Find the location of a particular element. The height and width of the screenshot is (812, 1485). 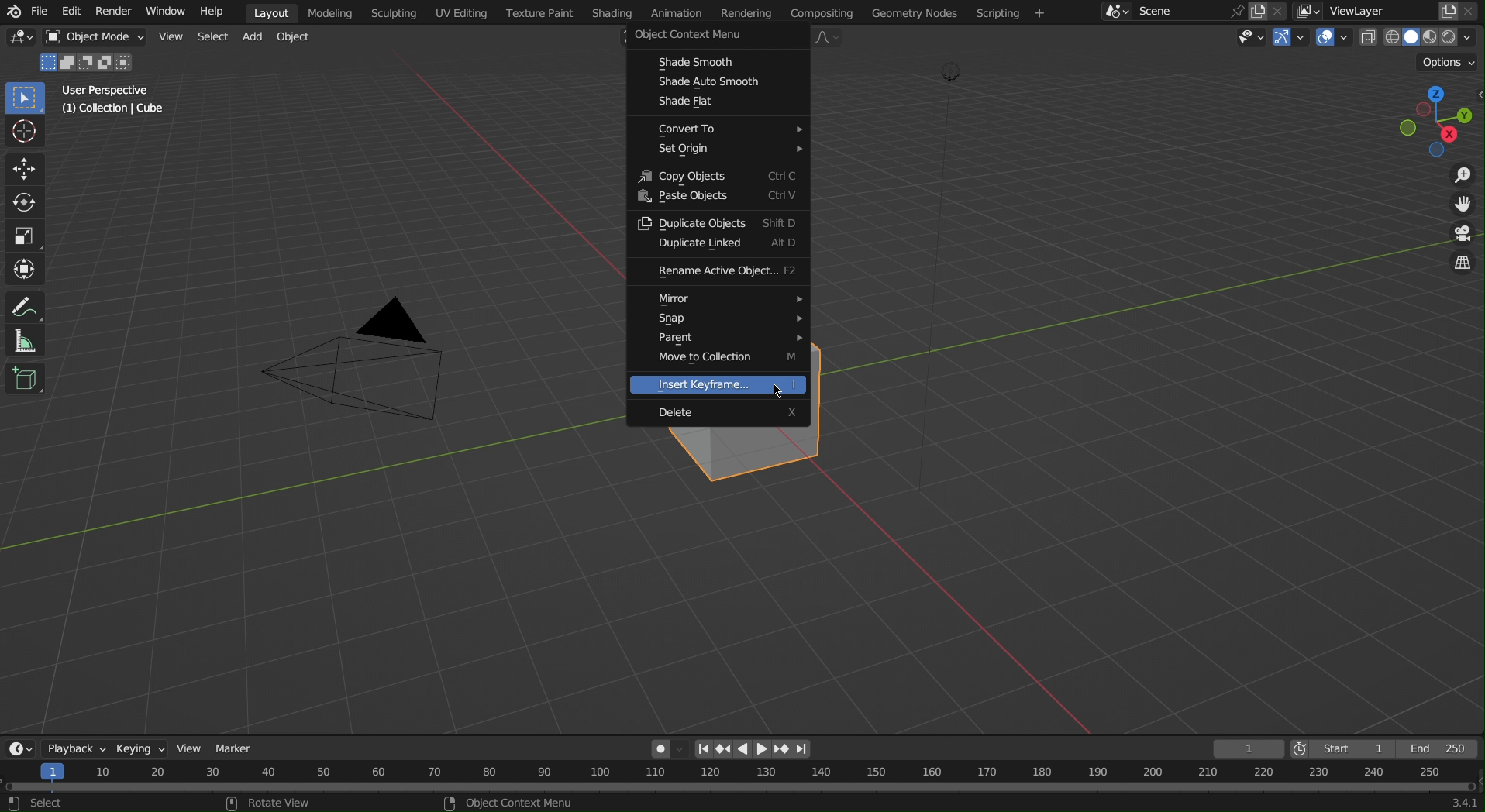

View  is located at coordinates (169, 36).